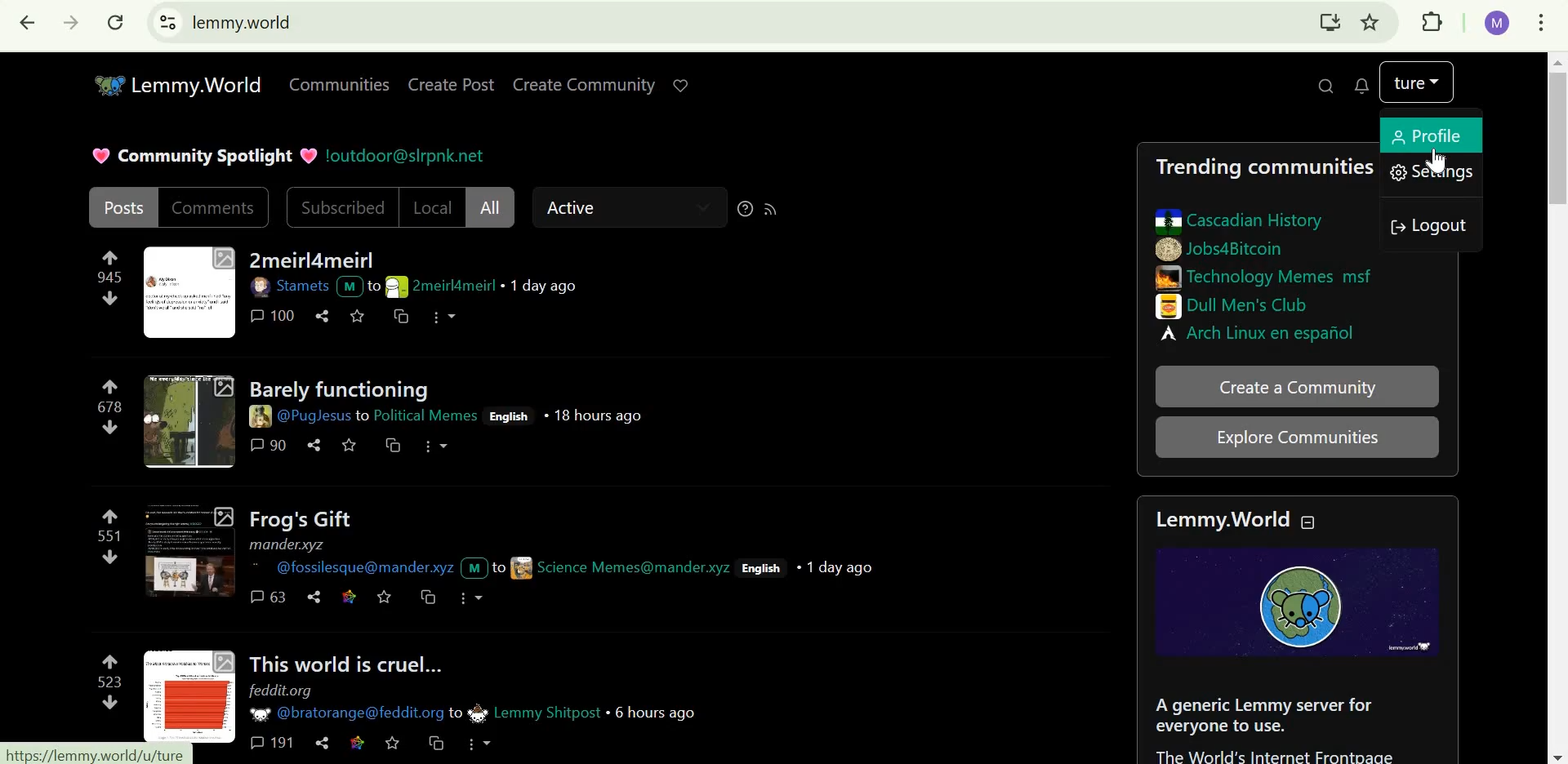  I want to click on Community spotlight, so click(203, 153).